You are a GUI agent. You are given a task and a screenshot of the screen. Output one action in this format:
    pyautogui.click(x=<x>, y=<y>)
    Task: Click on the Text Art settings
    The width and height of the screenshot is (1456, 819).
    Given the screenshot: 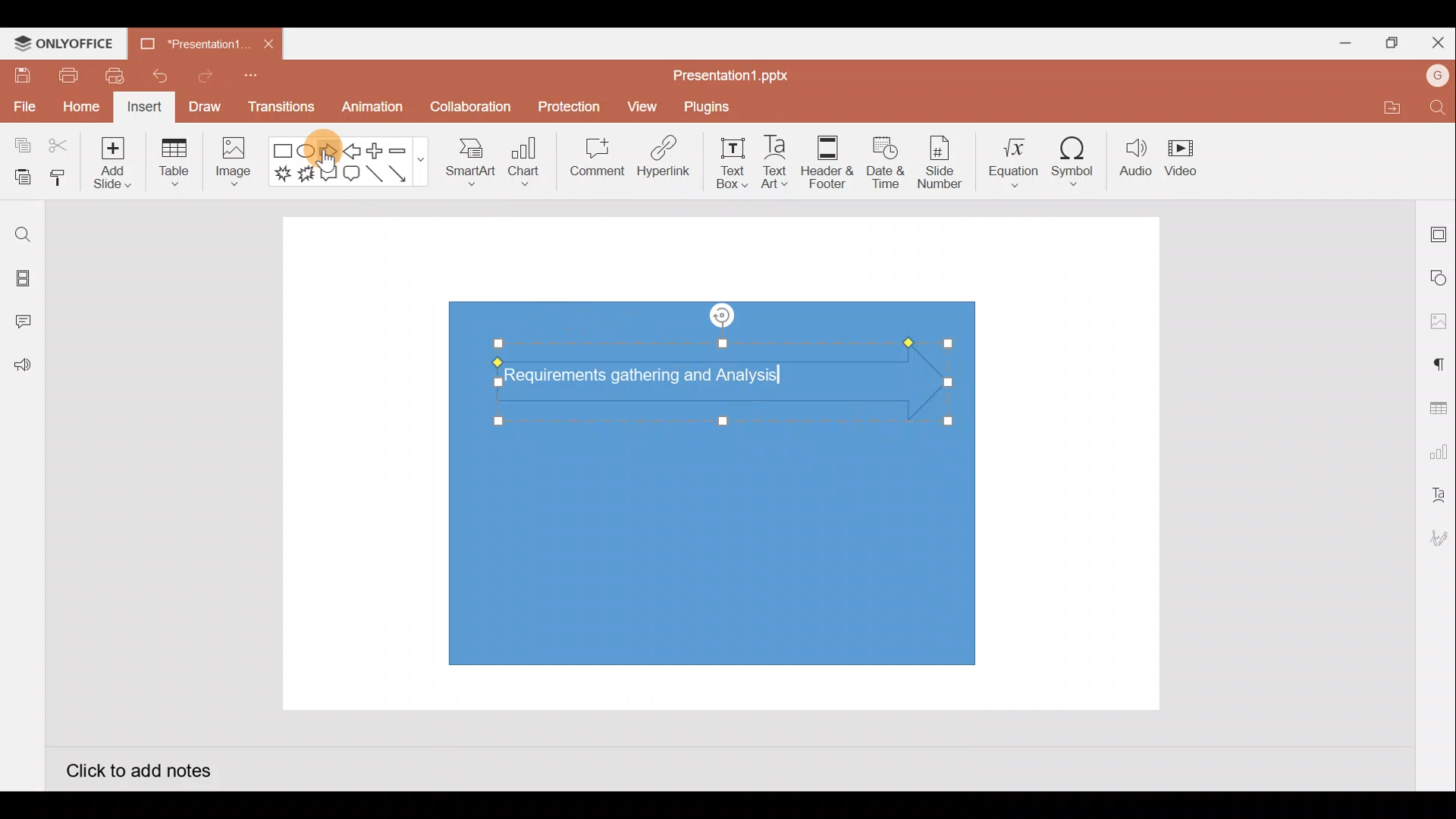 What is the action you would take?
    pyautogui.click(x=1437, y=495)
    